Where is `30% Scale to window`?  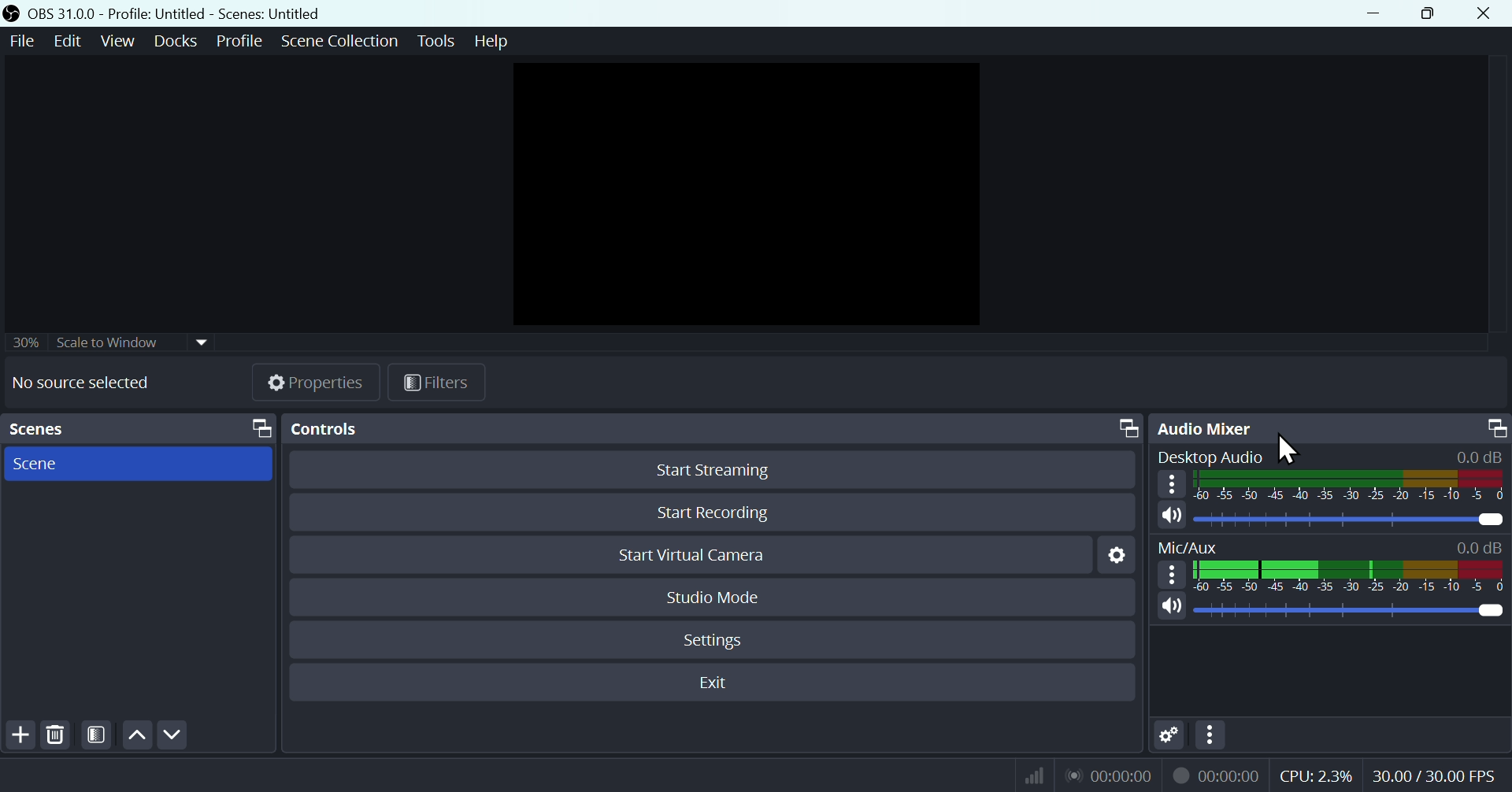 30% Scale to window is located at coordinates (113, 345).